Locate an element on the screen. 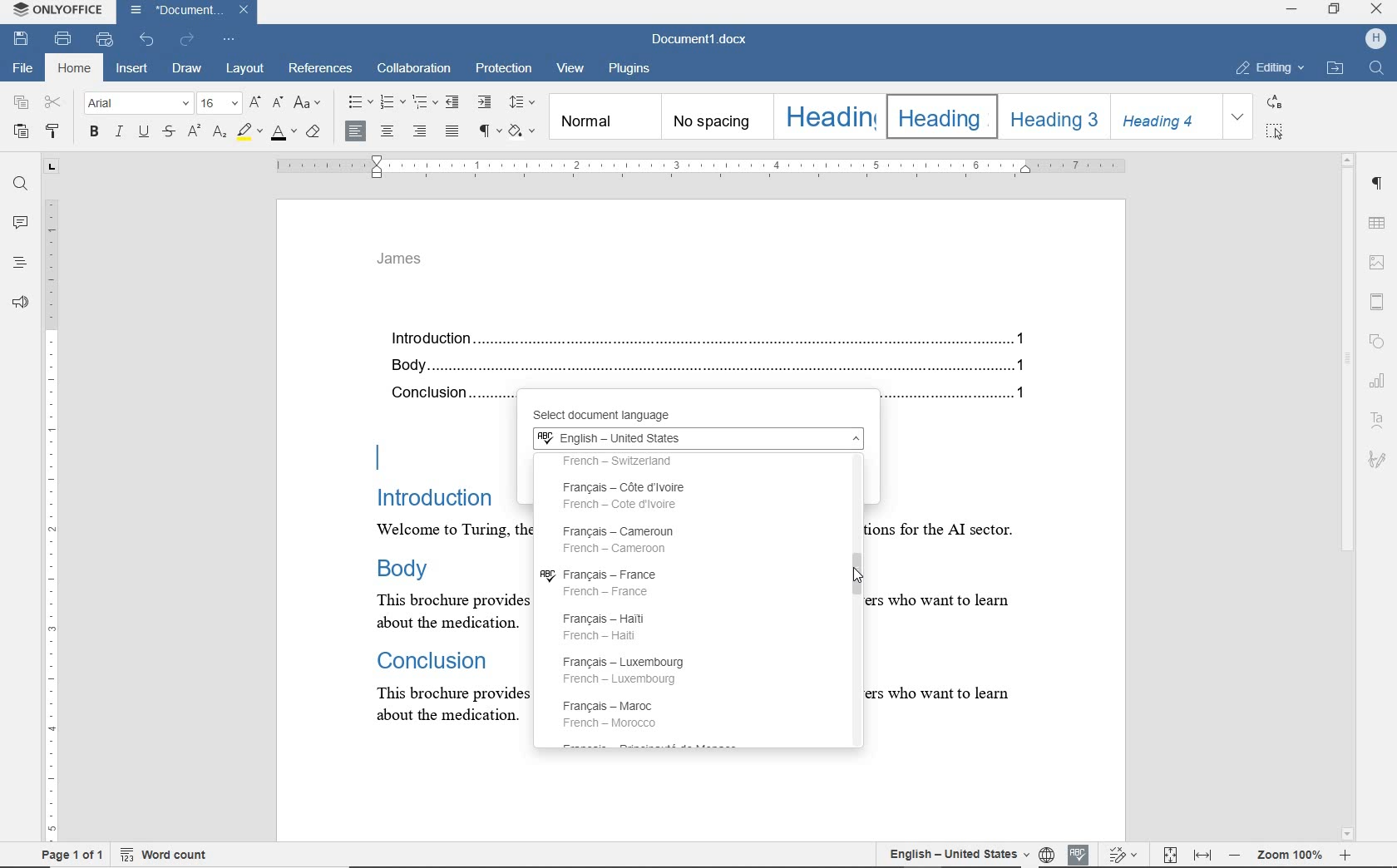 This screenshot has width=1397, height=868. undo is located at coordinates (148, 38).